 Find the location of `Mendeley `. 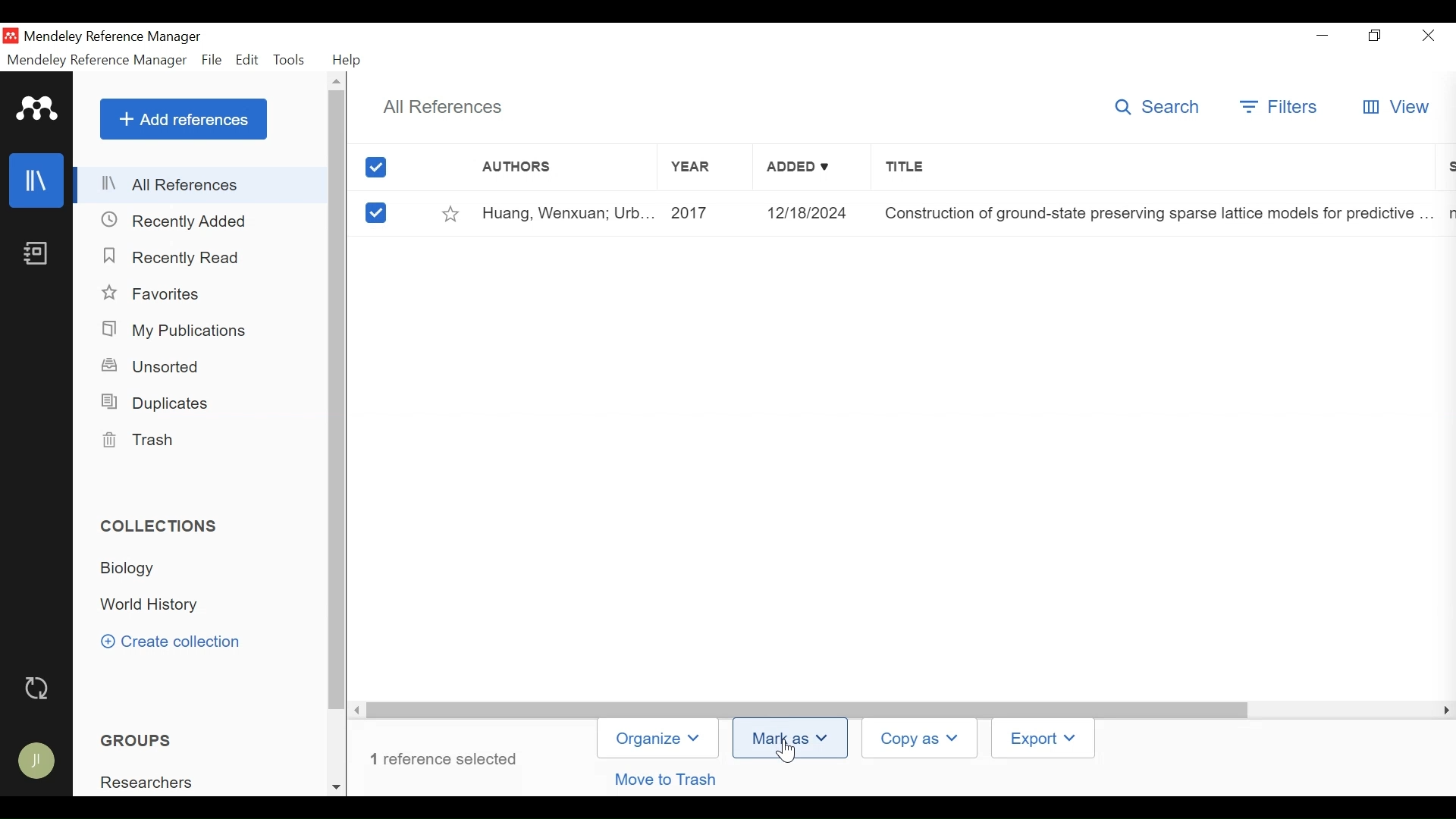

Mendeley  is located at coordinates (39, 110).